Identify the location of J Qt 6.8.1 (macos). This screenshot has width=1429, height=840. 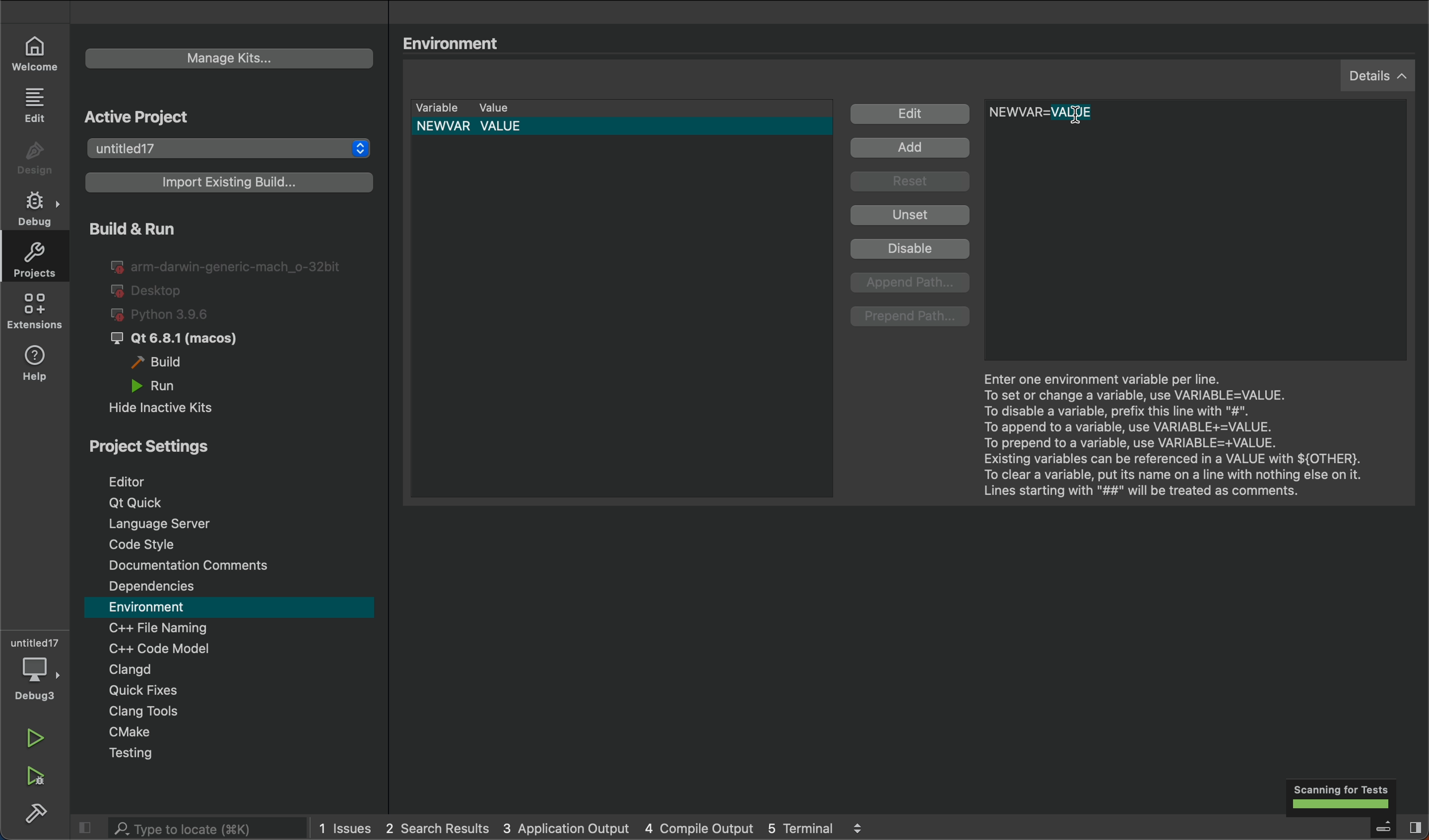
(184, 340).